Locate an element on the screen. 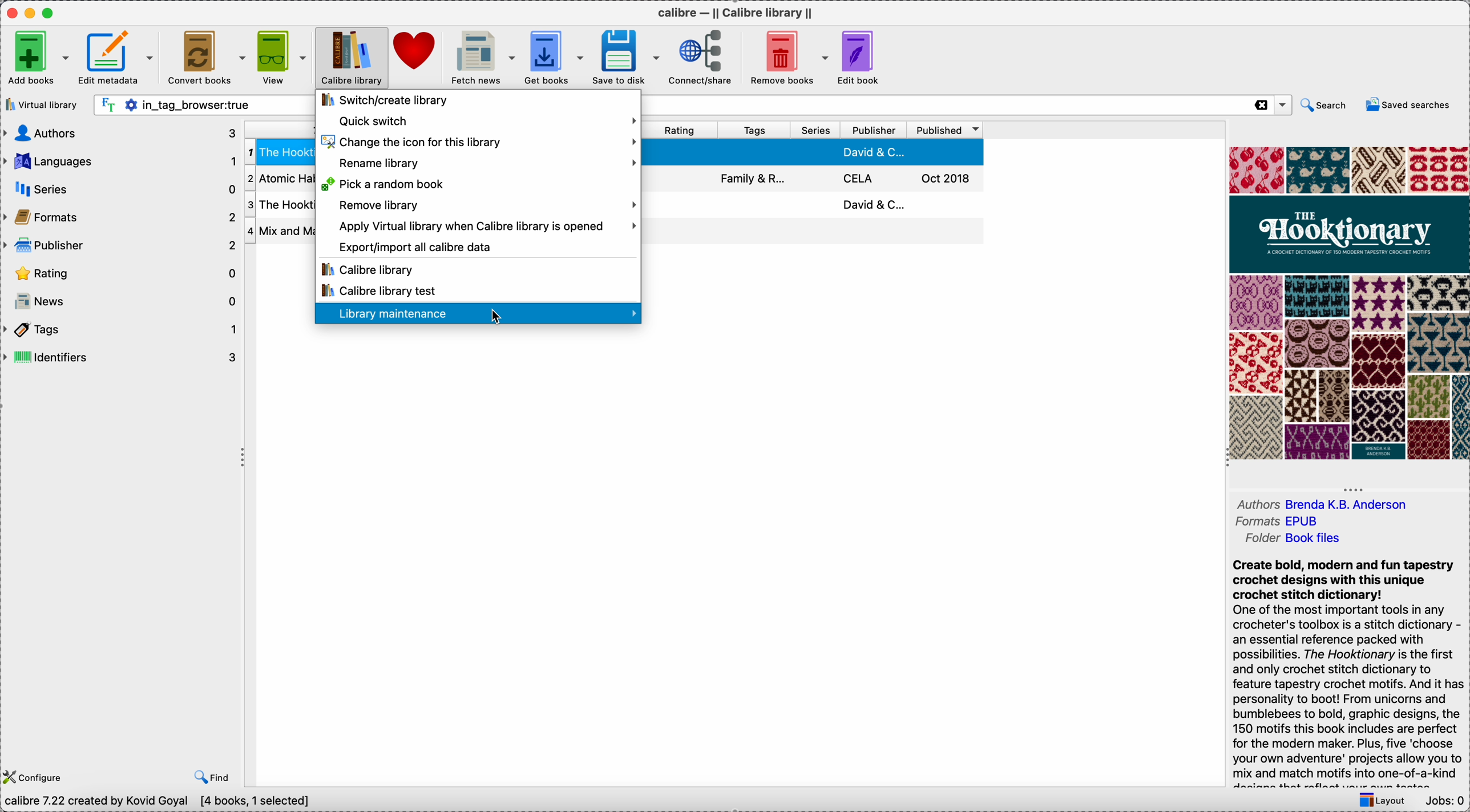 The height and width of the screenshot is (812, 1470). tags is located at coordinates (122, 329).